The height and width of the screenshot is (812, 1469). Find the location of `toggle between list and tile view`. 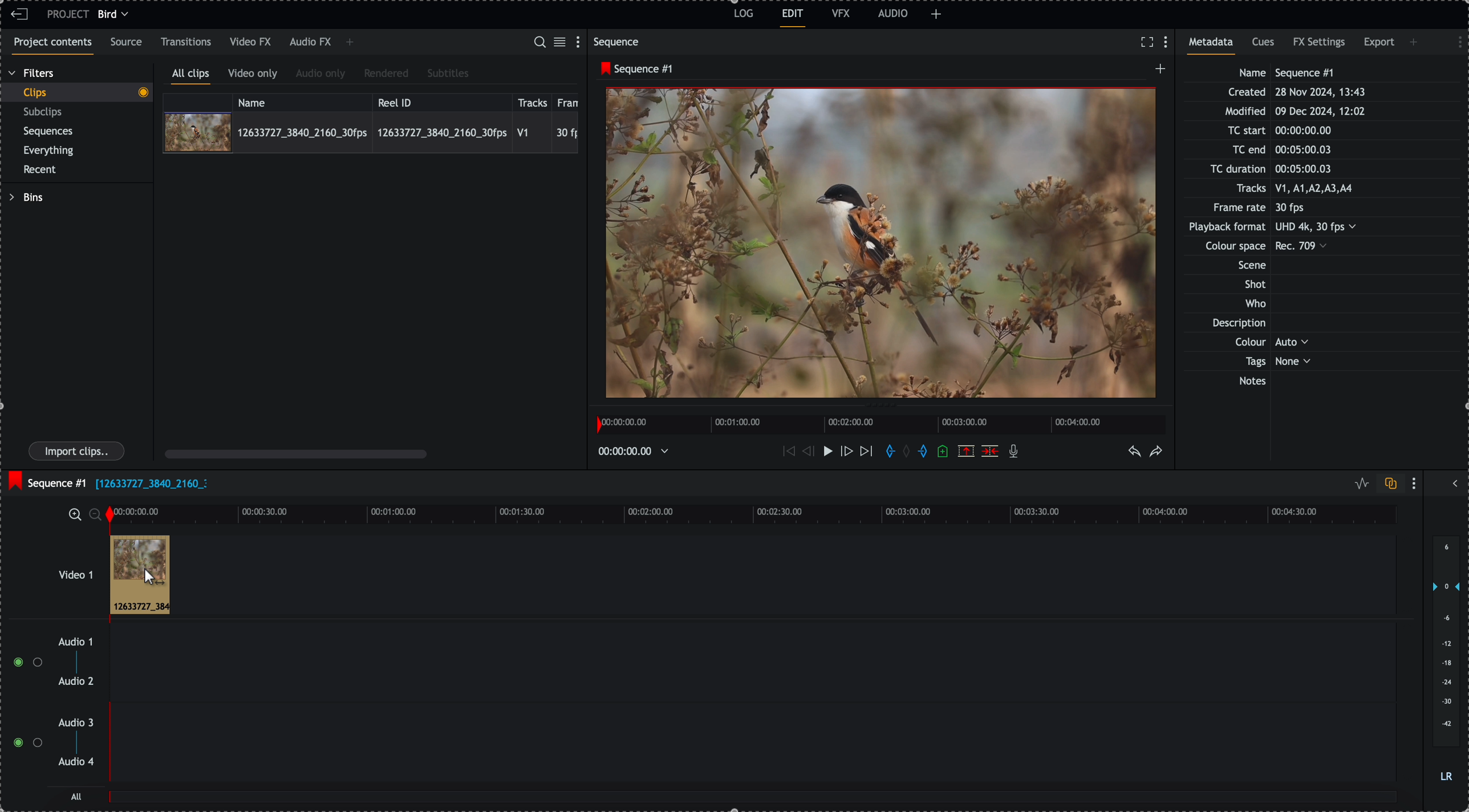

toggle between list and tile view is located at coordinates (562, 43).